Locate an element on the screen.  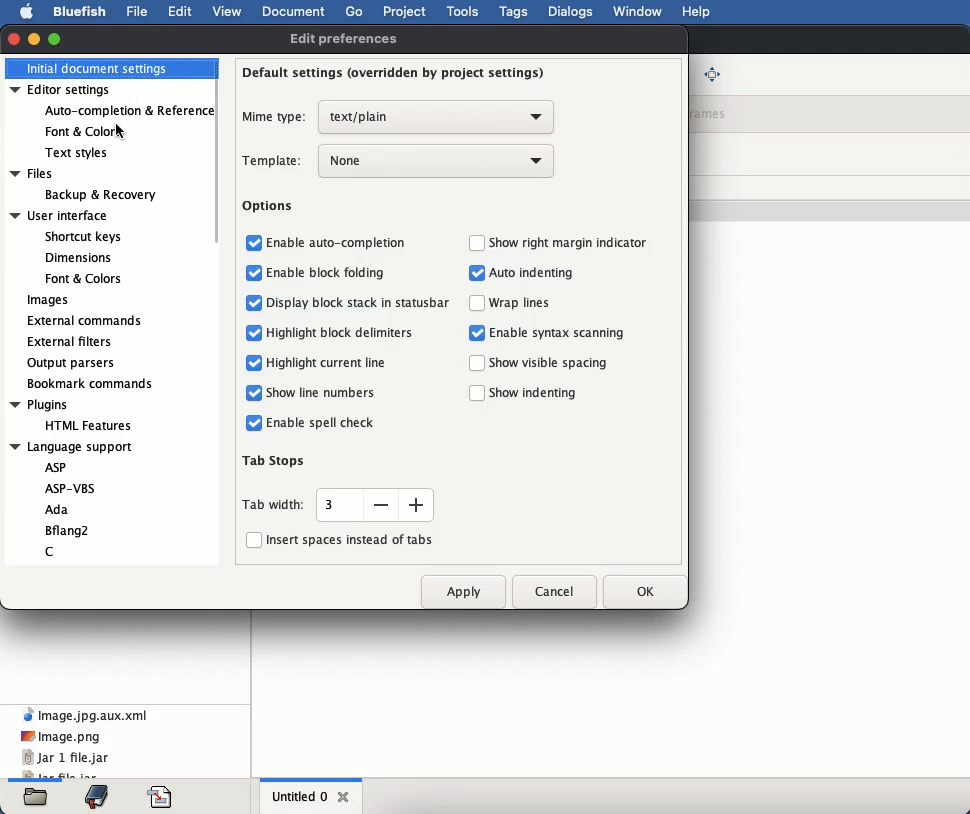
edit is located at coordinates (179, 11).